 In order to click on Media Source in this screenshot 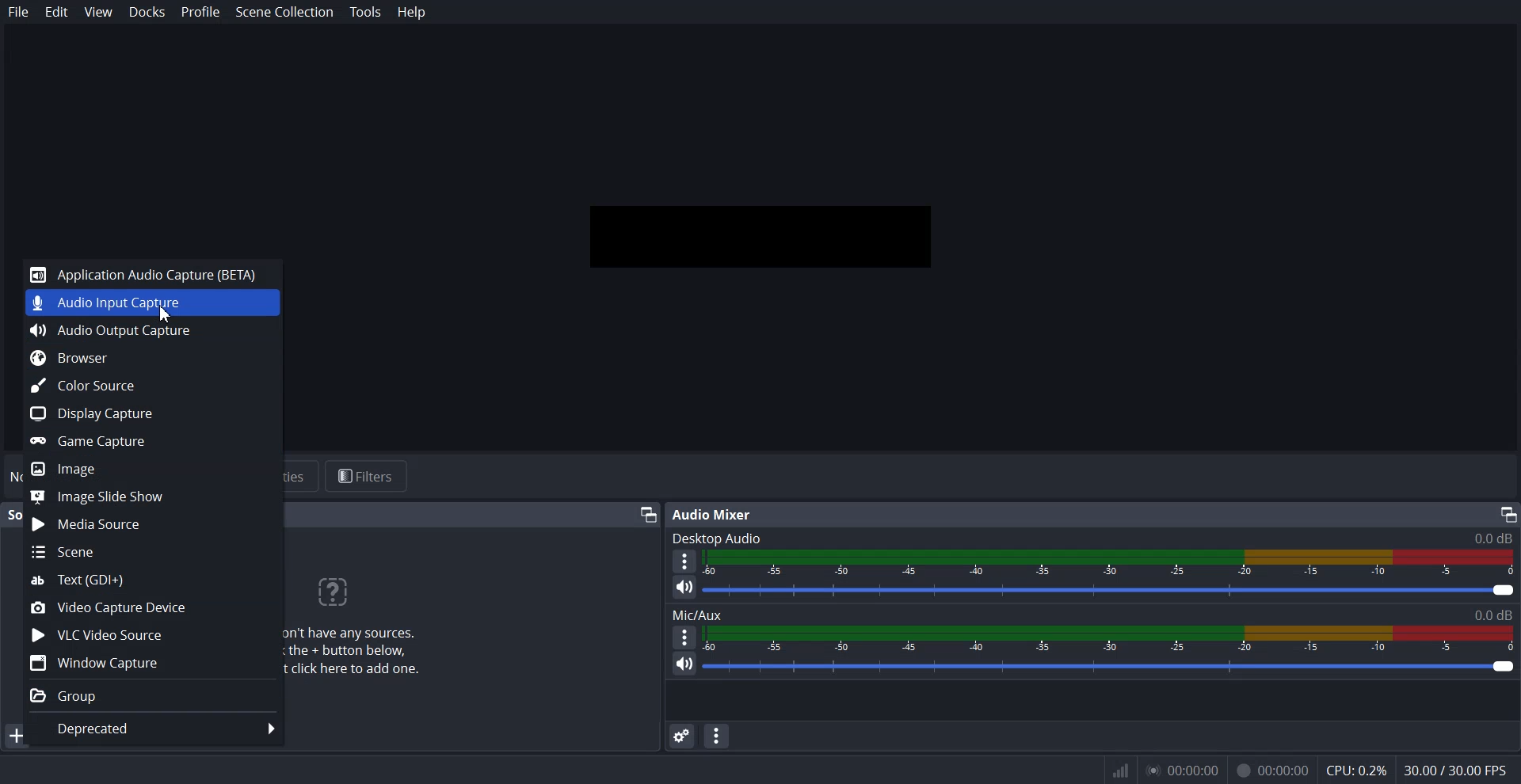, I will do `click(151, 523)`.